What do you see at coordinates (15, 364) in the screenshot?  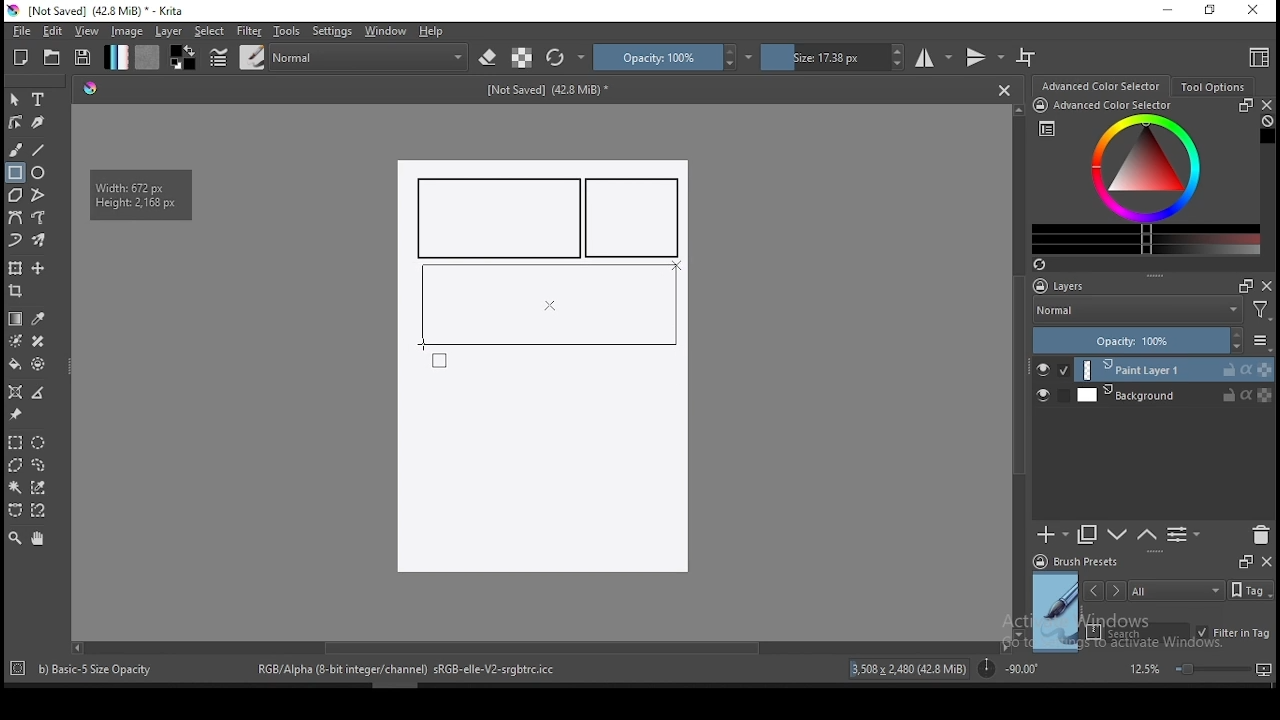 I see `paint bucket tool` at bounding box center [15, 364].